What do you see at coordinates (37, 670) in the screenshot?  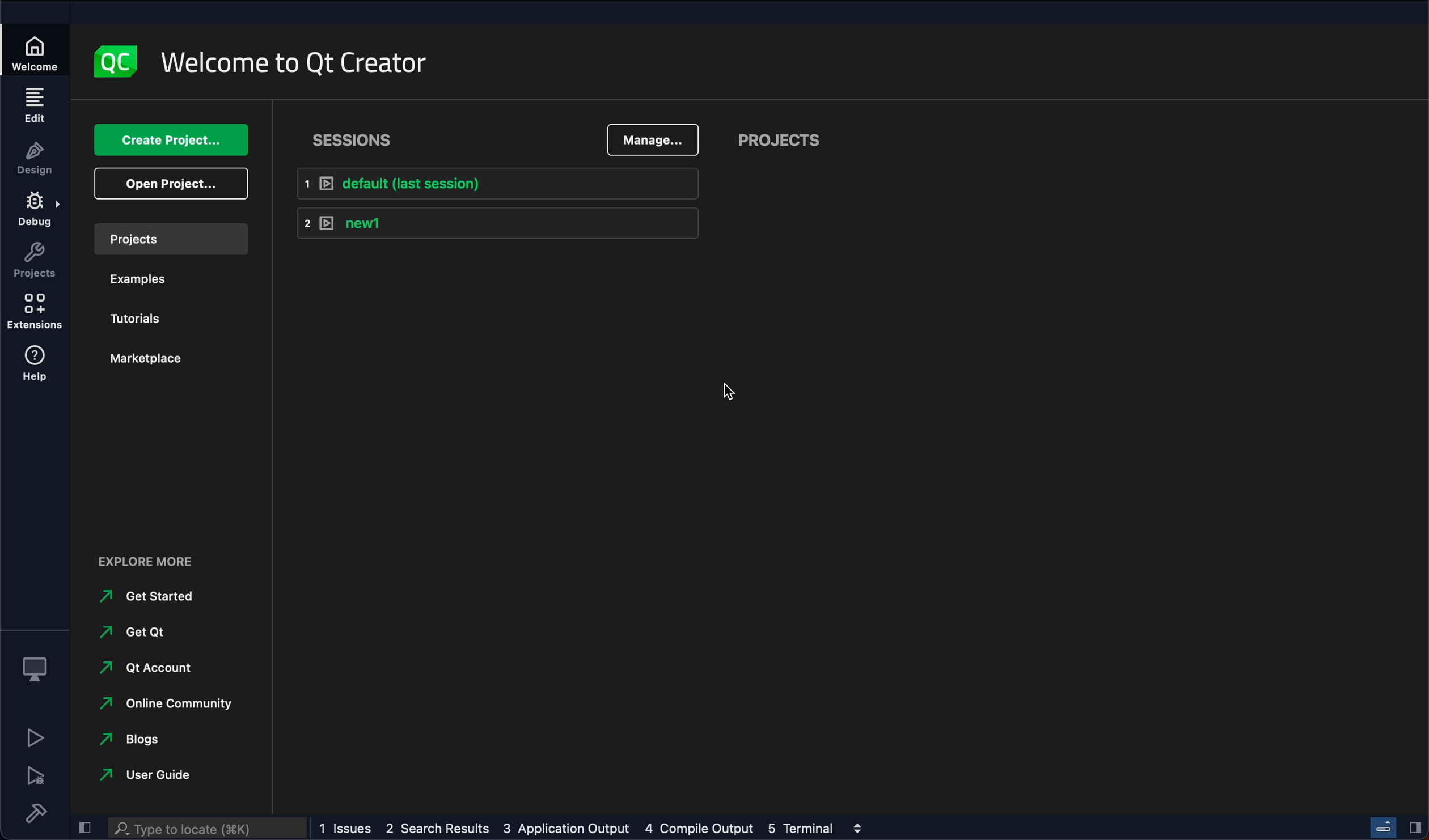 I see `kit selector` at bounding box center [37, 670].